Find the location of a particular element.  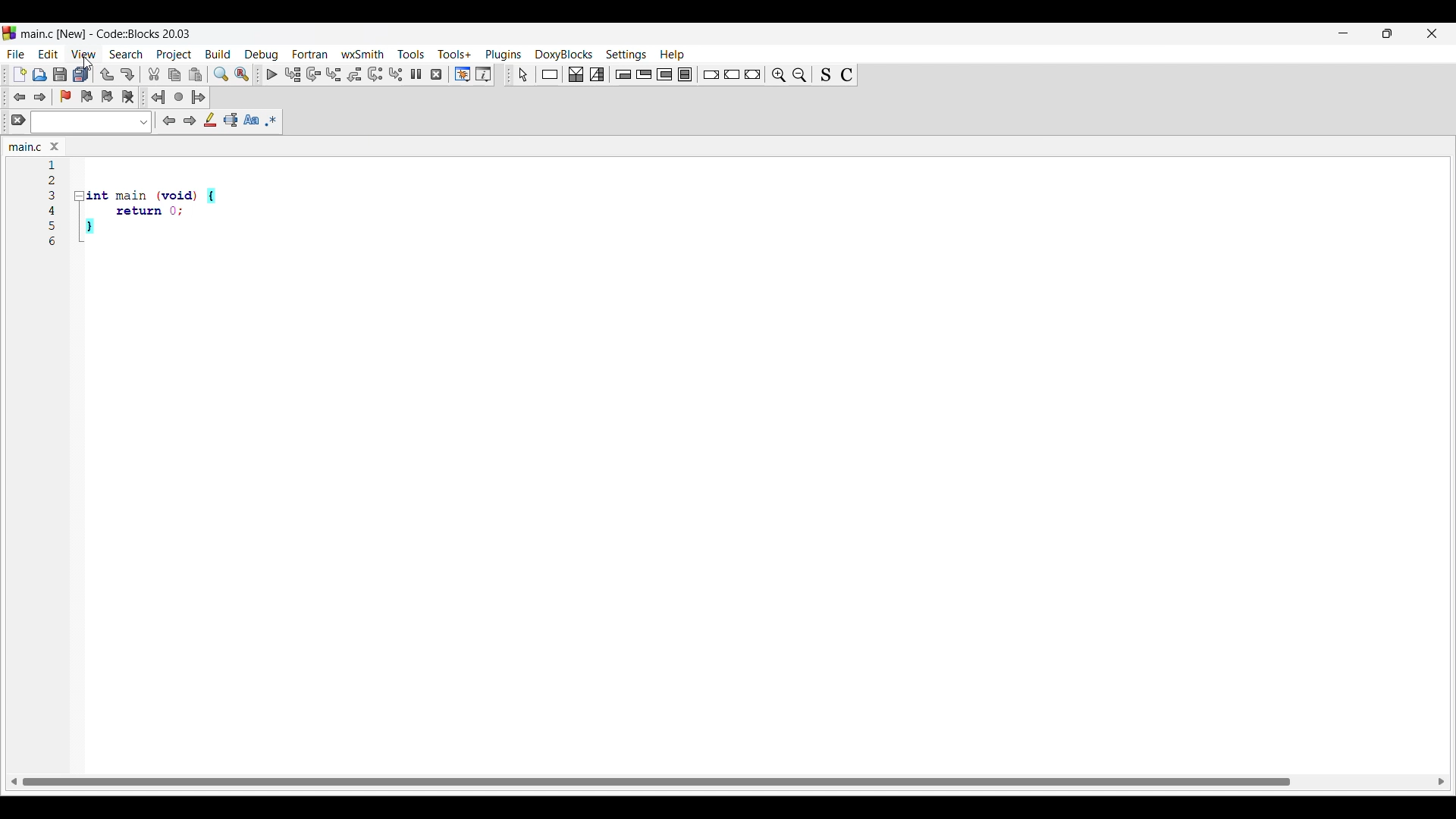

Debugging windows is located at coordinates (463, 74).